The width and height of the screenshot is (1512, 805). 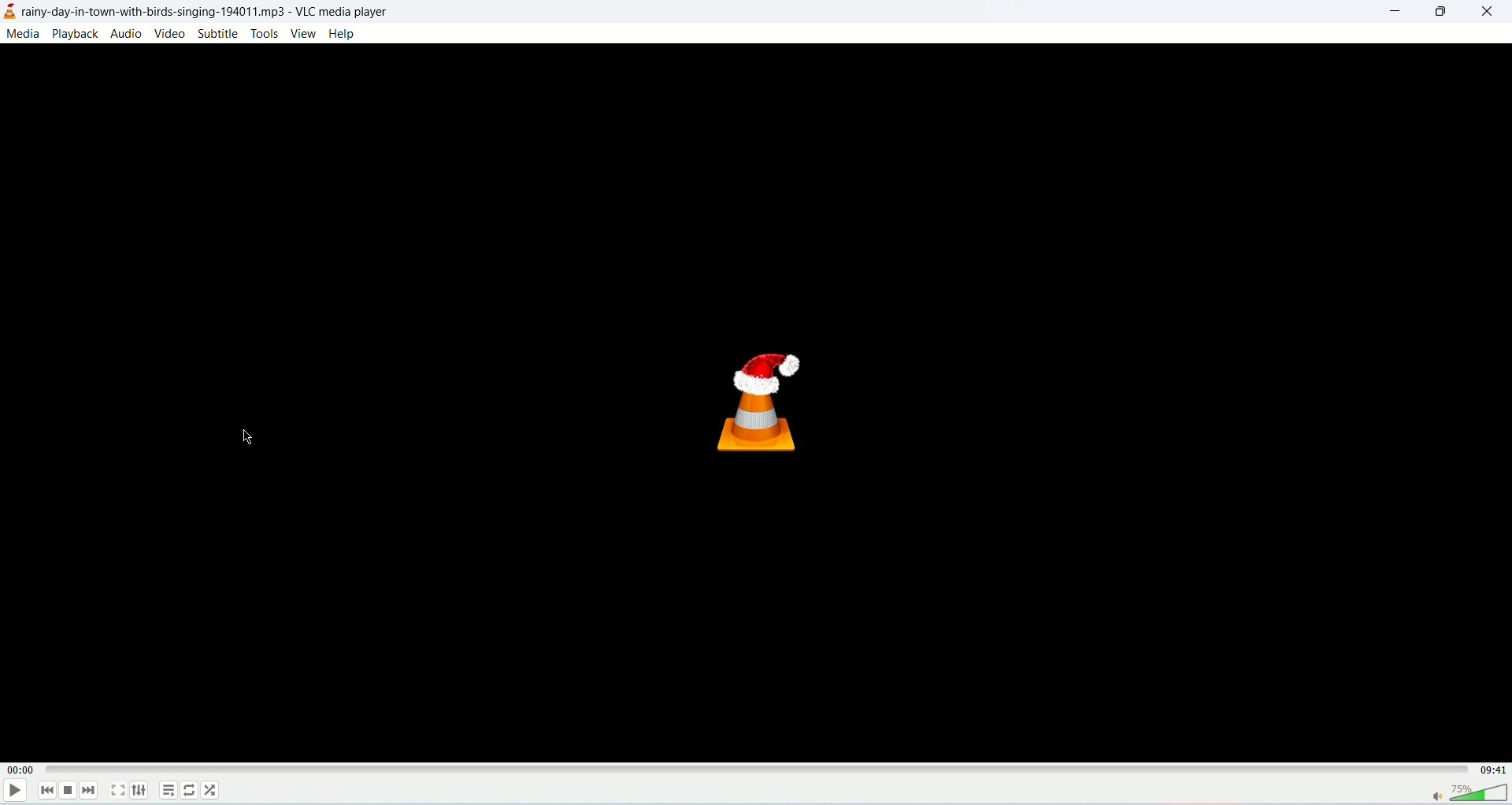 I want to click on tools, so click(x=265, y=33).